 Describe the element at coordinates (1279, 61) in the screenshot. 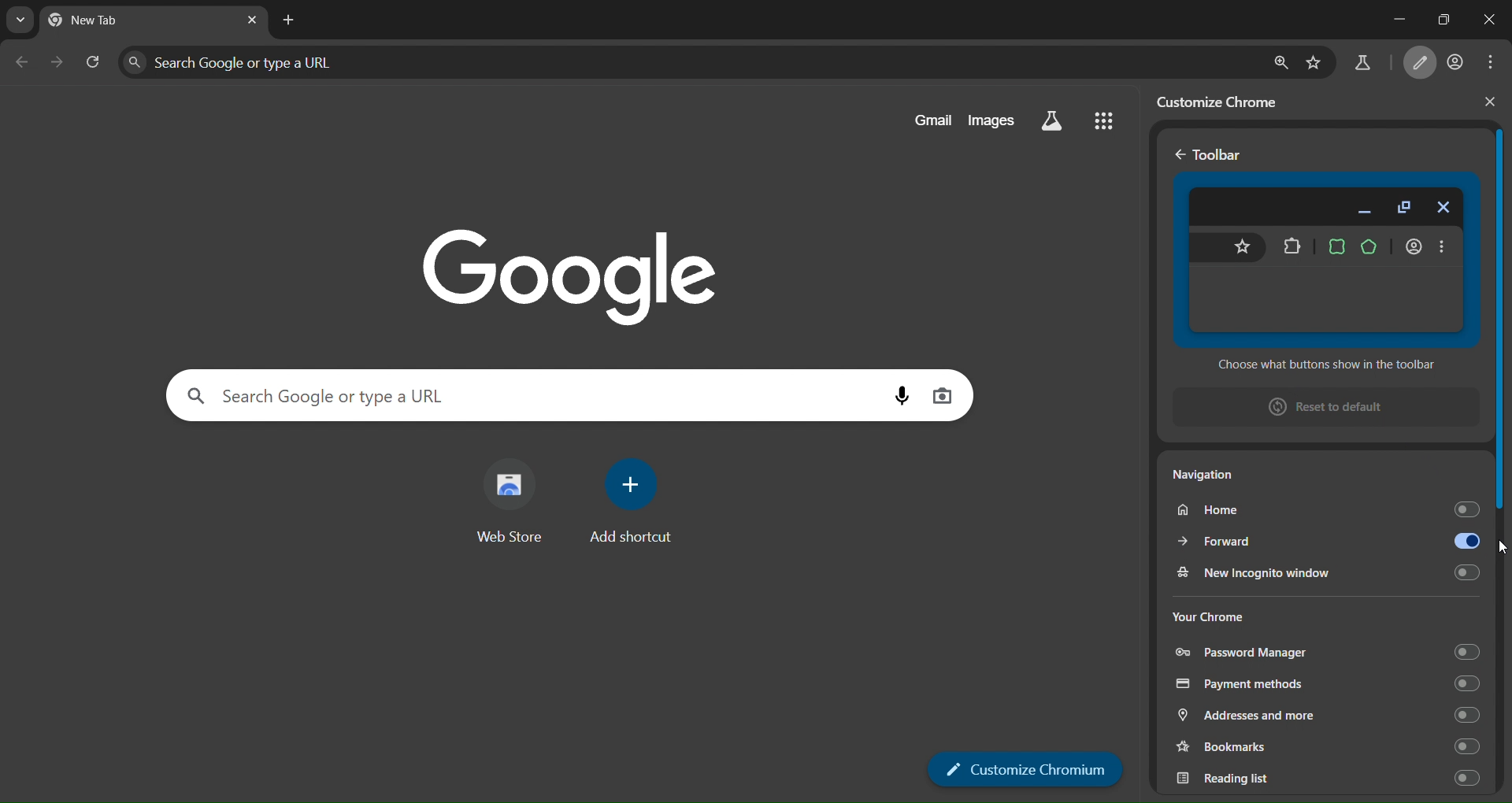

I see `zoom ` at that location.